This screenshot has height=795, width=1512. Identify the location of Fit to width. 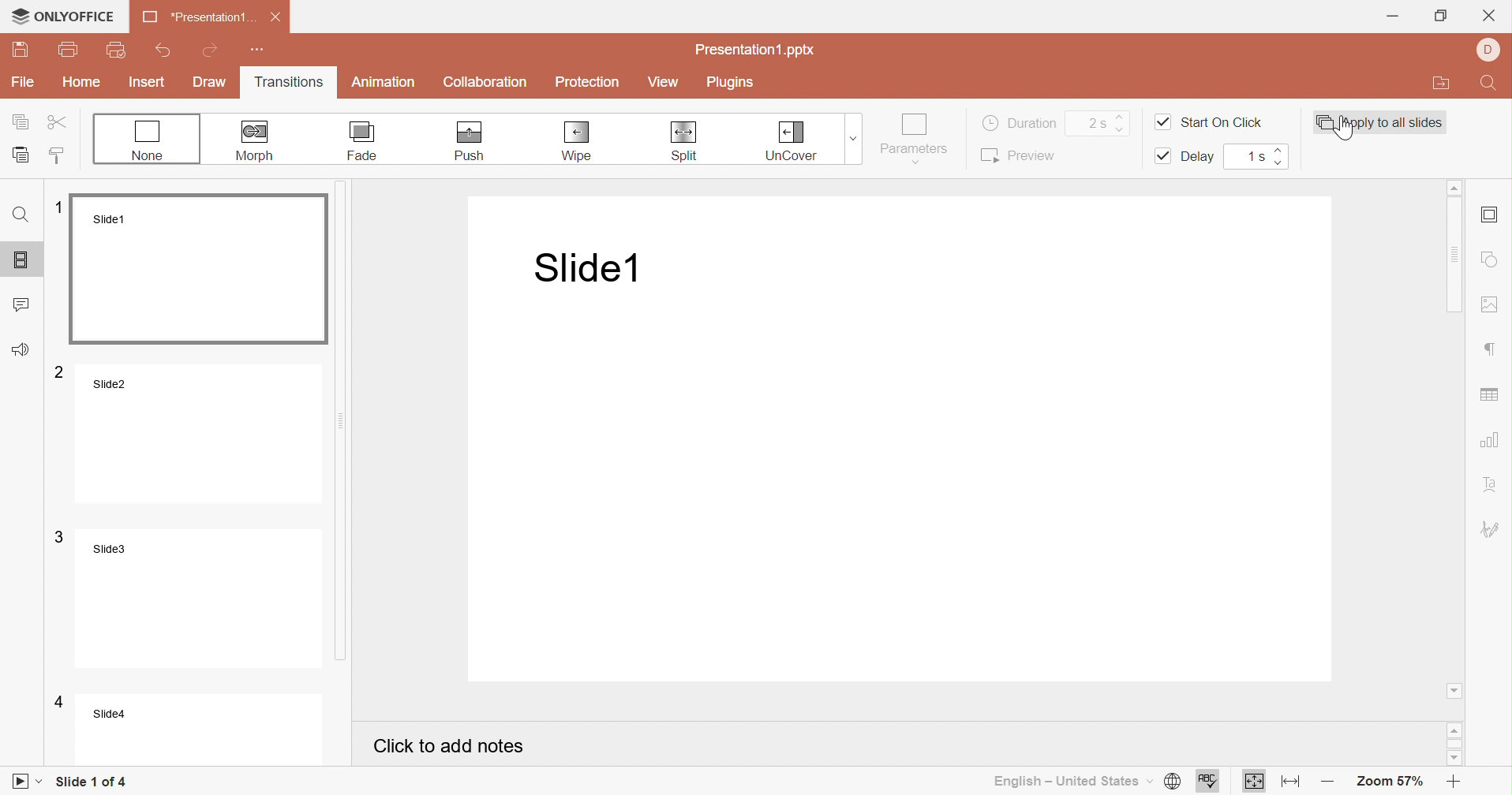
(1287, 782).